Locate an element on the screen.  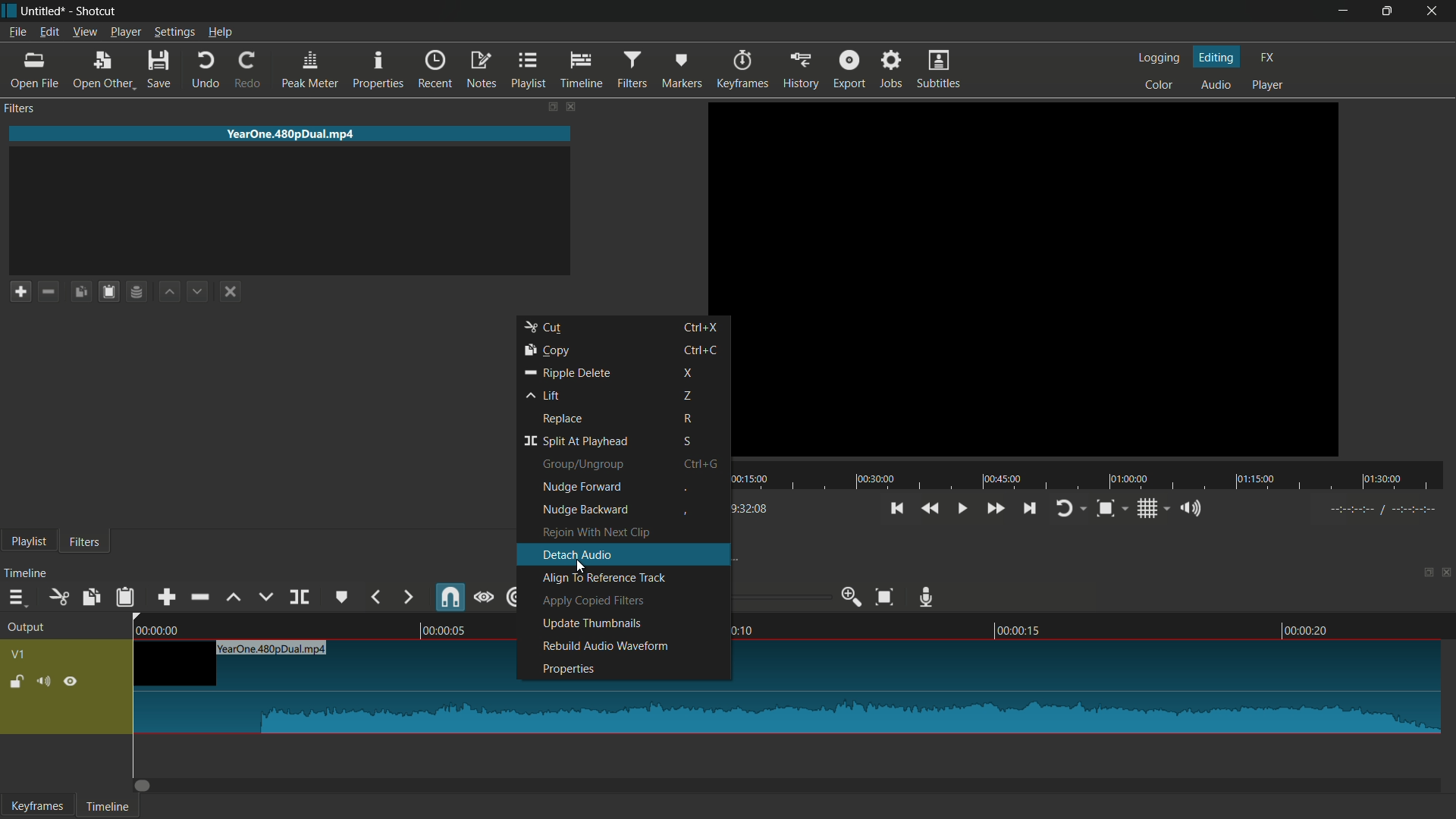
change layout is located at coordinates (1423, 574).